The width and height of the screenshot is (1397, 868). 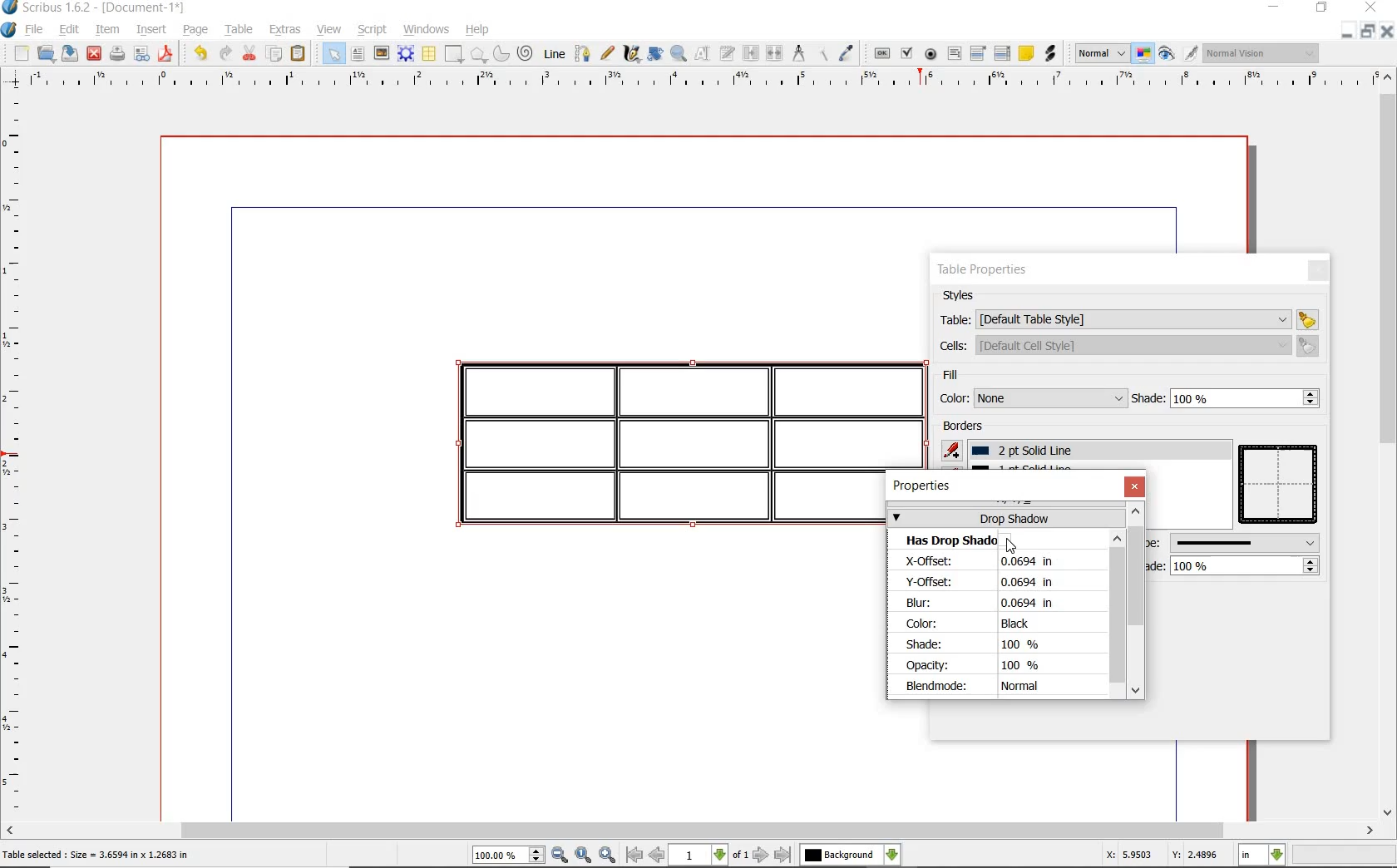 What do you see at coordinates (669, 446) in the screenshot?
I see `border added` at bounding box center [669, 446].